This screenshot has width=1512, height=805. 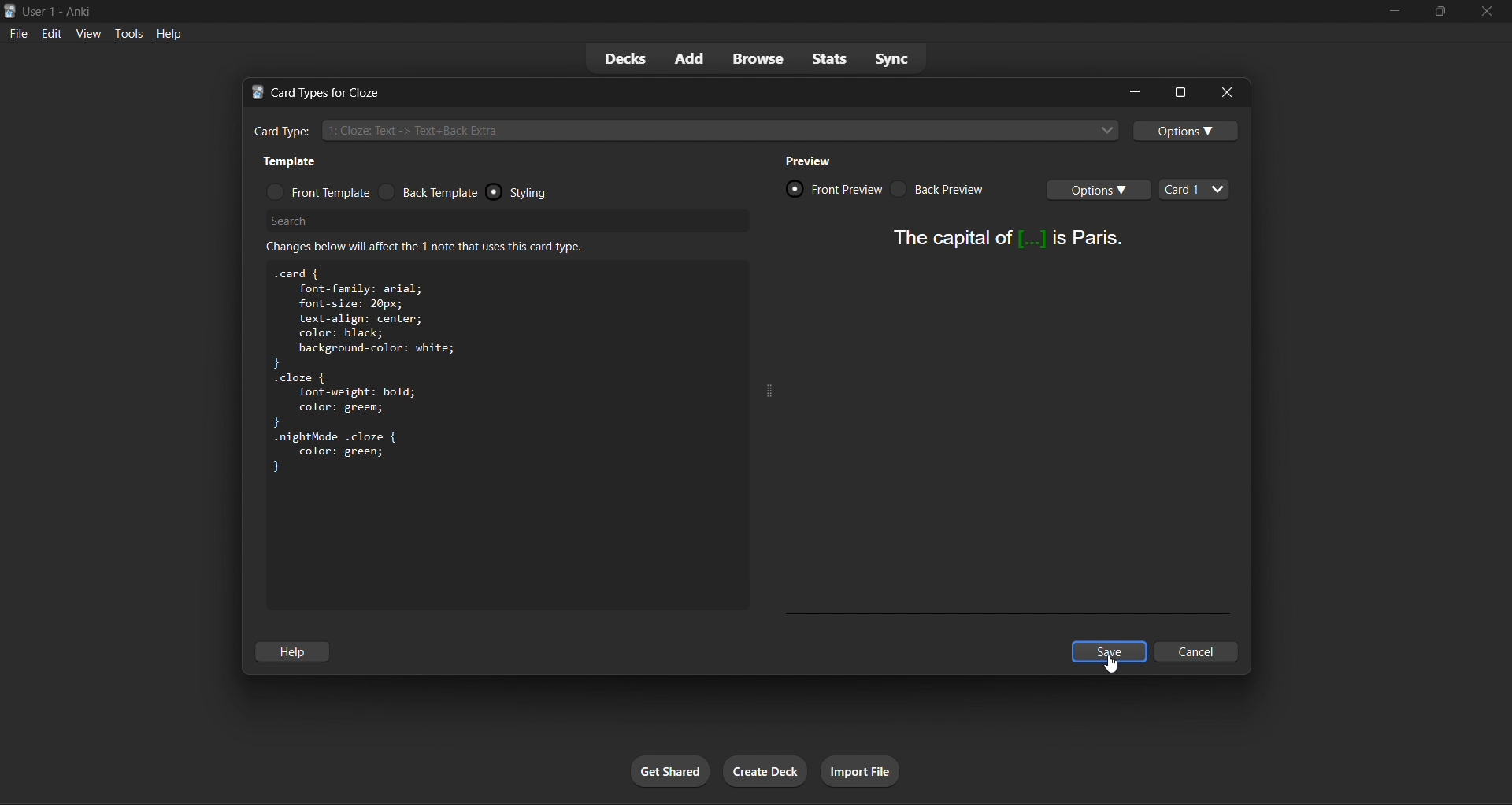 I want to click on edit, so click(x=51, y=33).